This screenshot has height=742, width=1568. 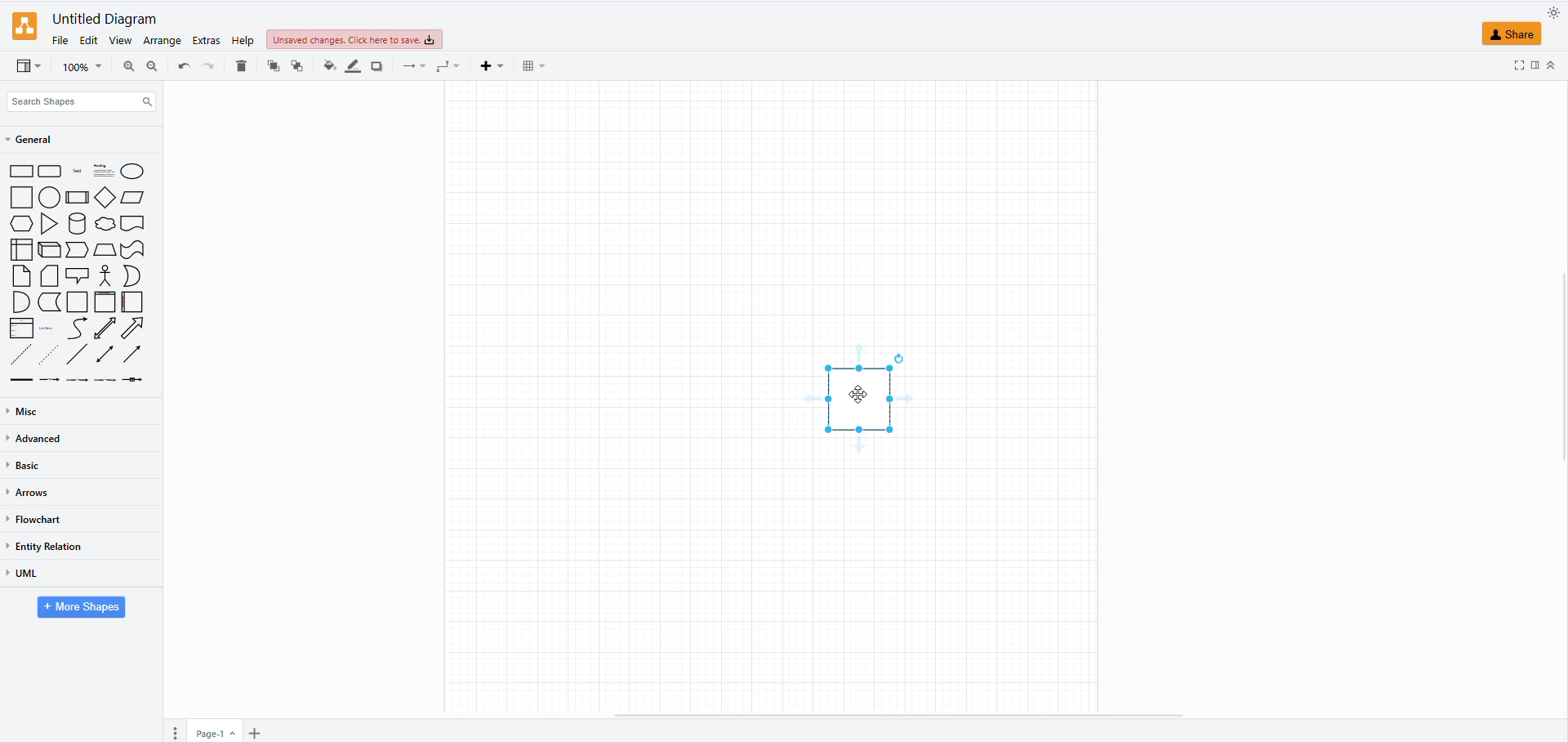 I want to click on table, so click(x=531, y=65).